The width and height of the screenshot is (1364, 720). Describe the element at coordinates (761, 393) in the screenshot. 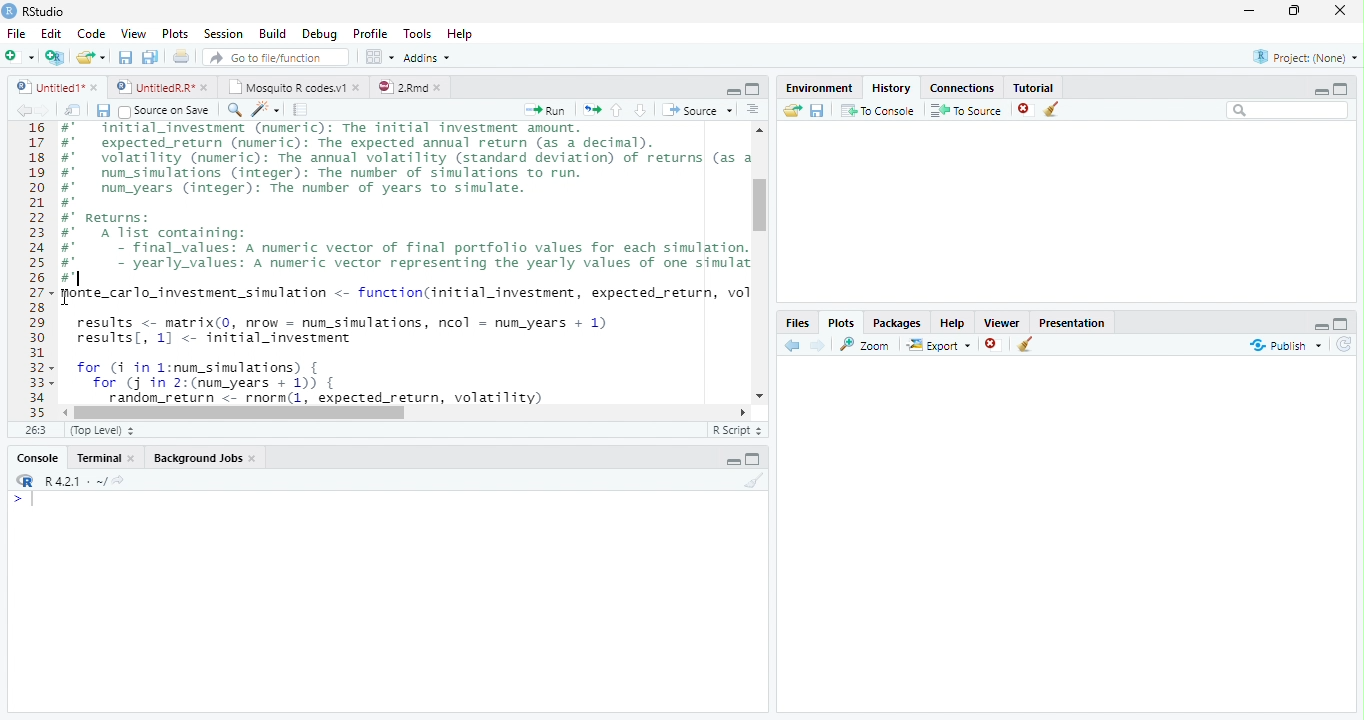

I see `Scroll down` at that location.